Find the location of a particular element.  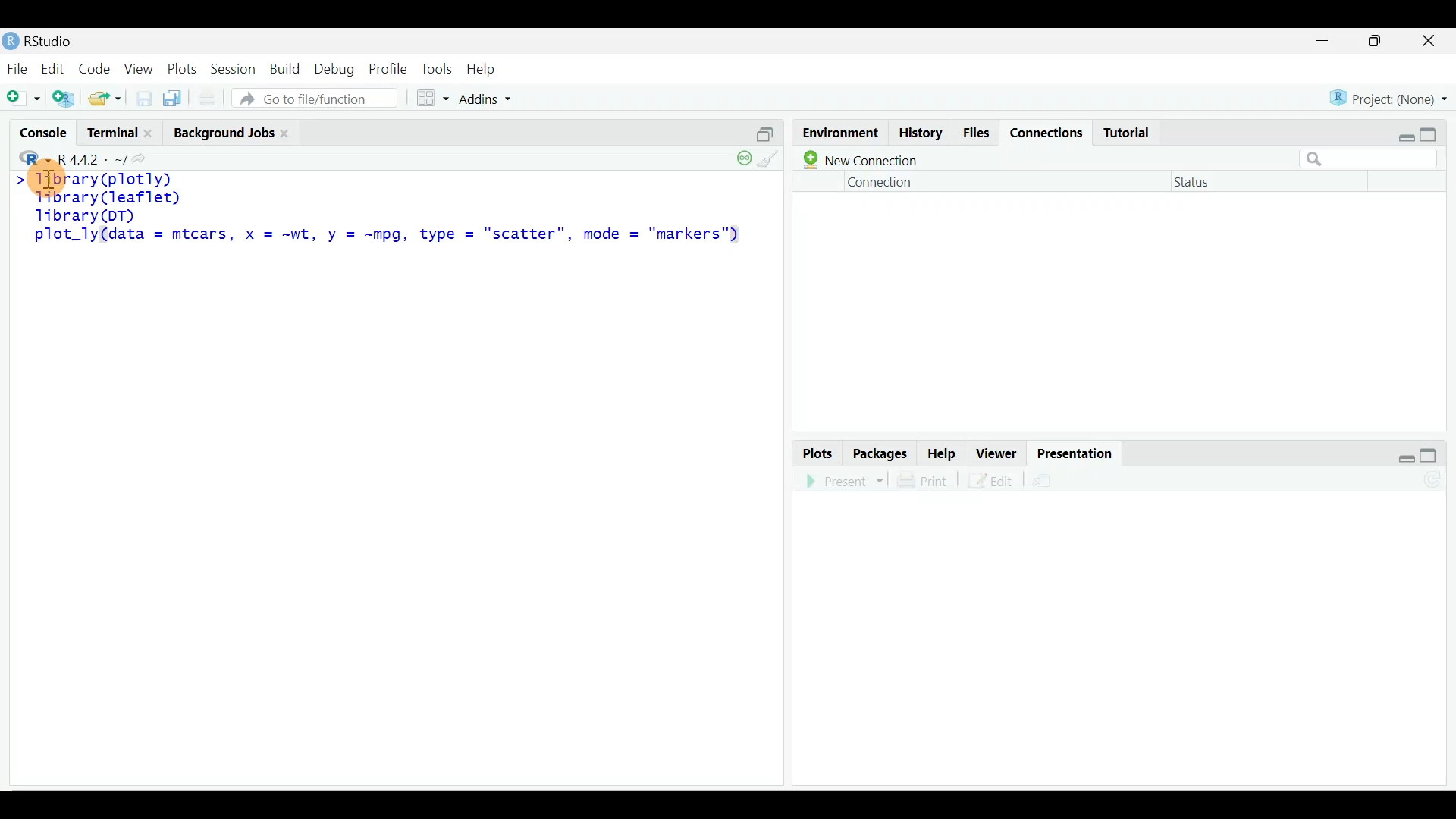

Refresh the presentation preview is located at coordinates (1434, 480).